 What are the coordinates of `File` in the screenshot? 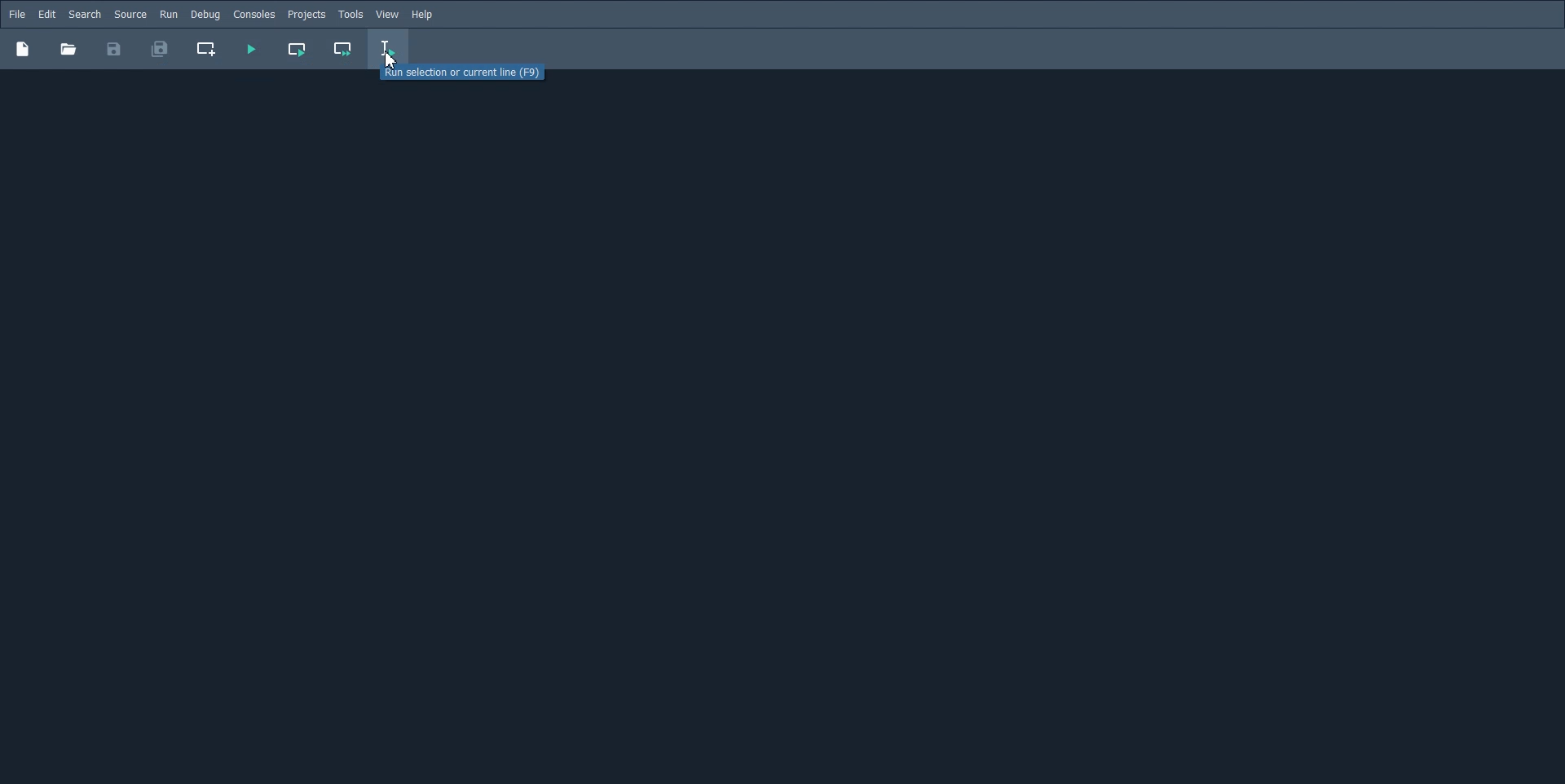 It's located at (17, 14).